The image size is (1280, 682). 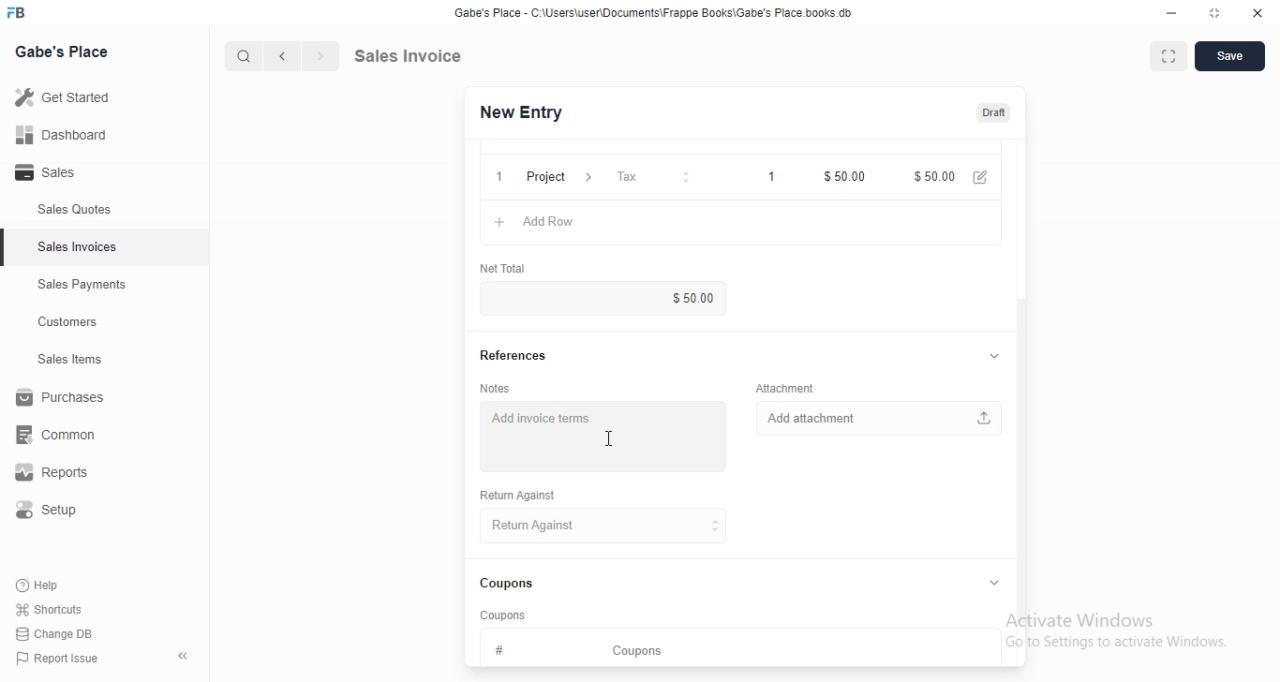 I want to click on cursor, so click(x=234, y=56).